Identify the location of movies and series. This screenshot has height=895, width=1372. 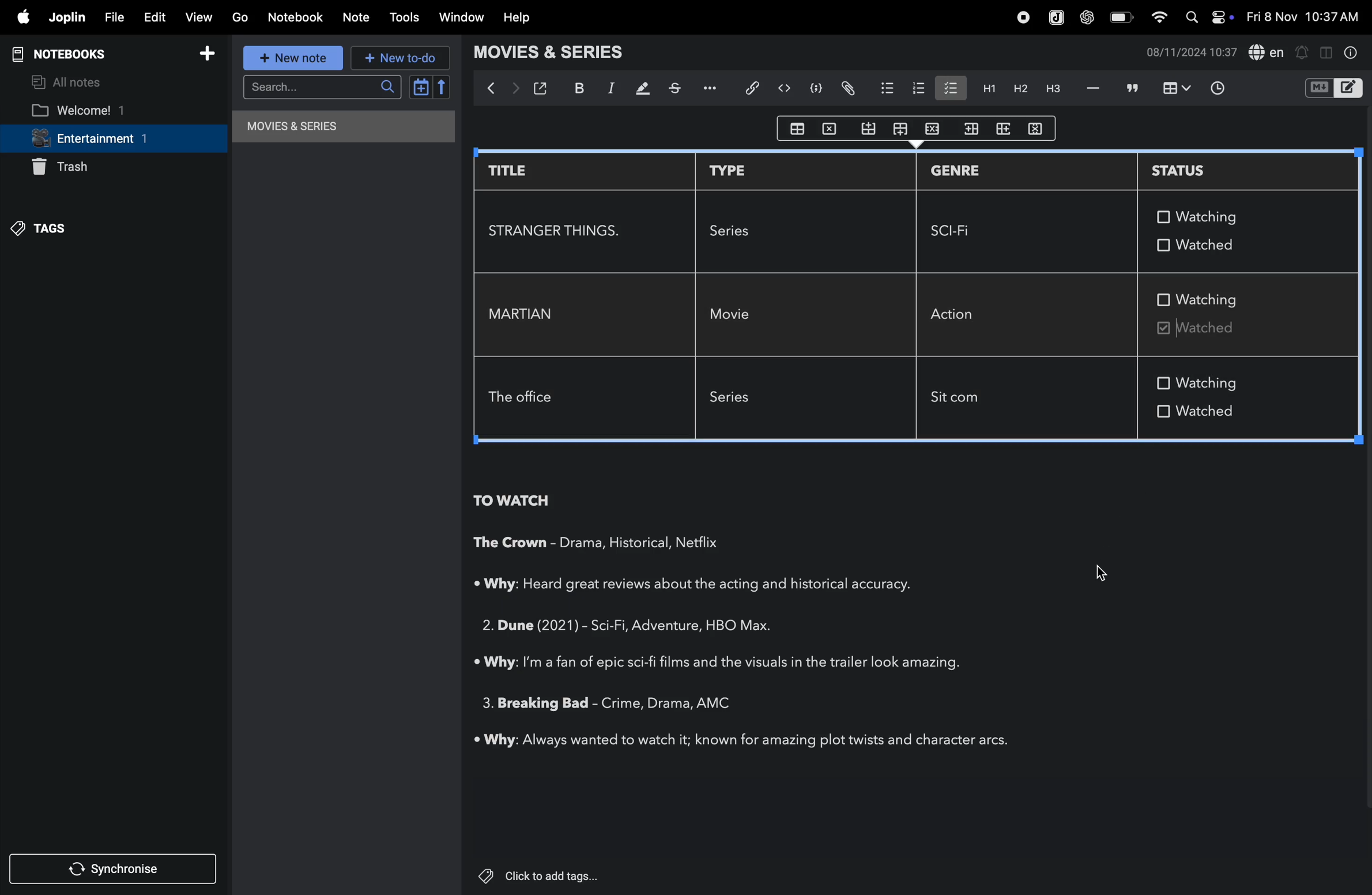
(561, 54).